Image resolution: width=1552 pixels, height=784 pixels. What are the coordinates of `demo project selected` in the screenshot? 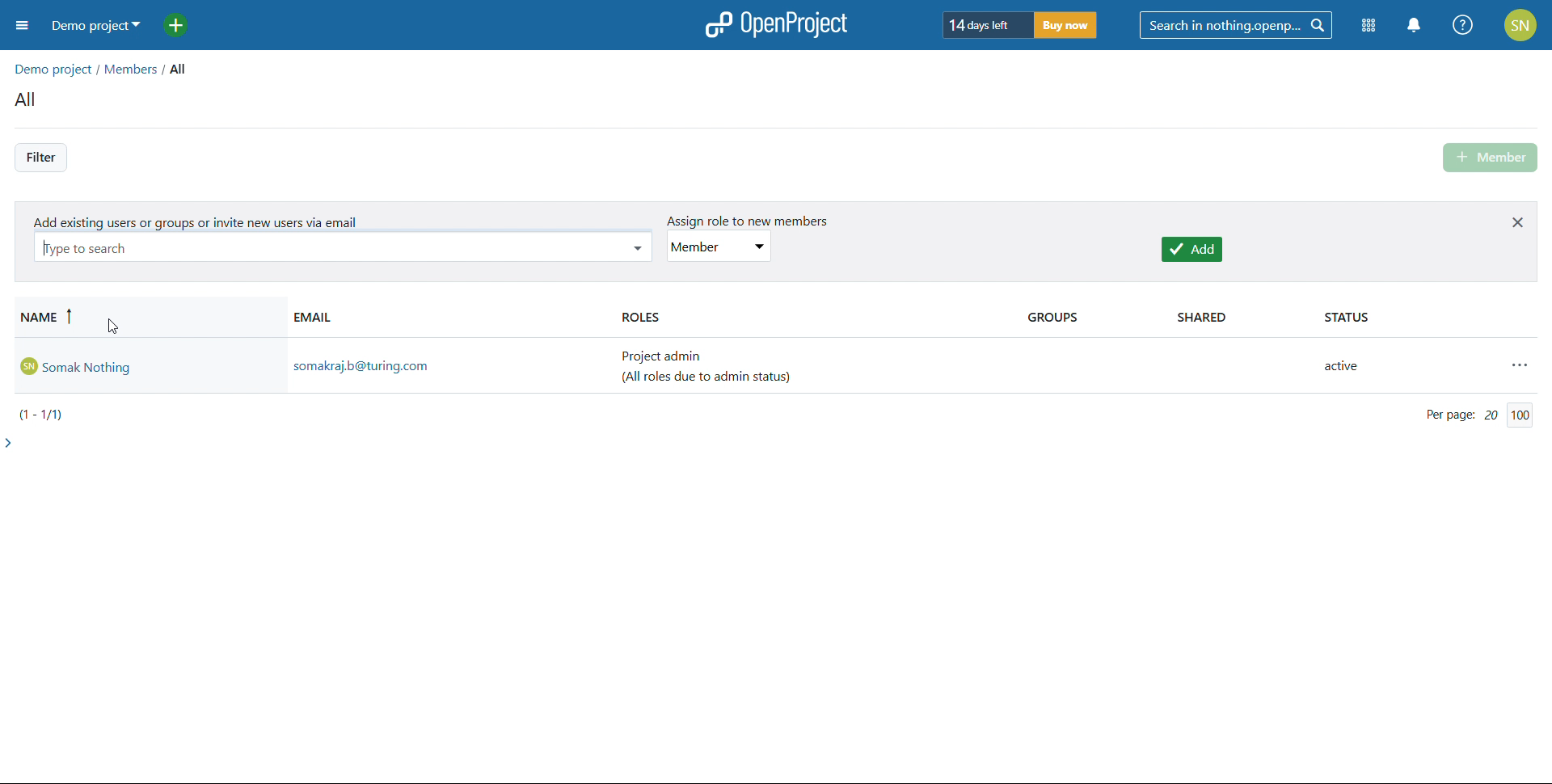 It's located at (91, 26).